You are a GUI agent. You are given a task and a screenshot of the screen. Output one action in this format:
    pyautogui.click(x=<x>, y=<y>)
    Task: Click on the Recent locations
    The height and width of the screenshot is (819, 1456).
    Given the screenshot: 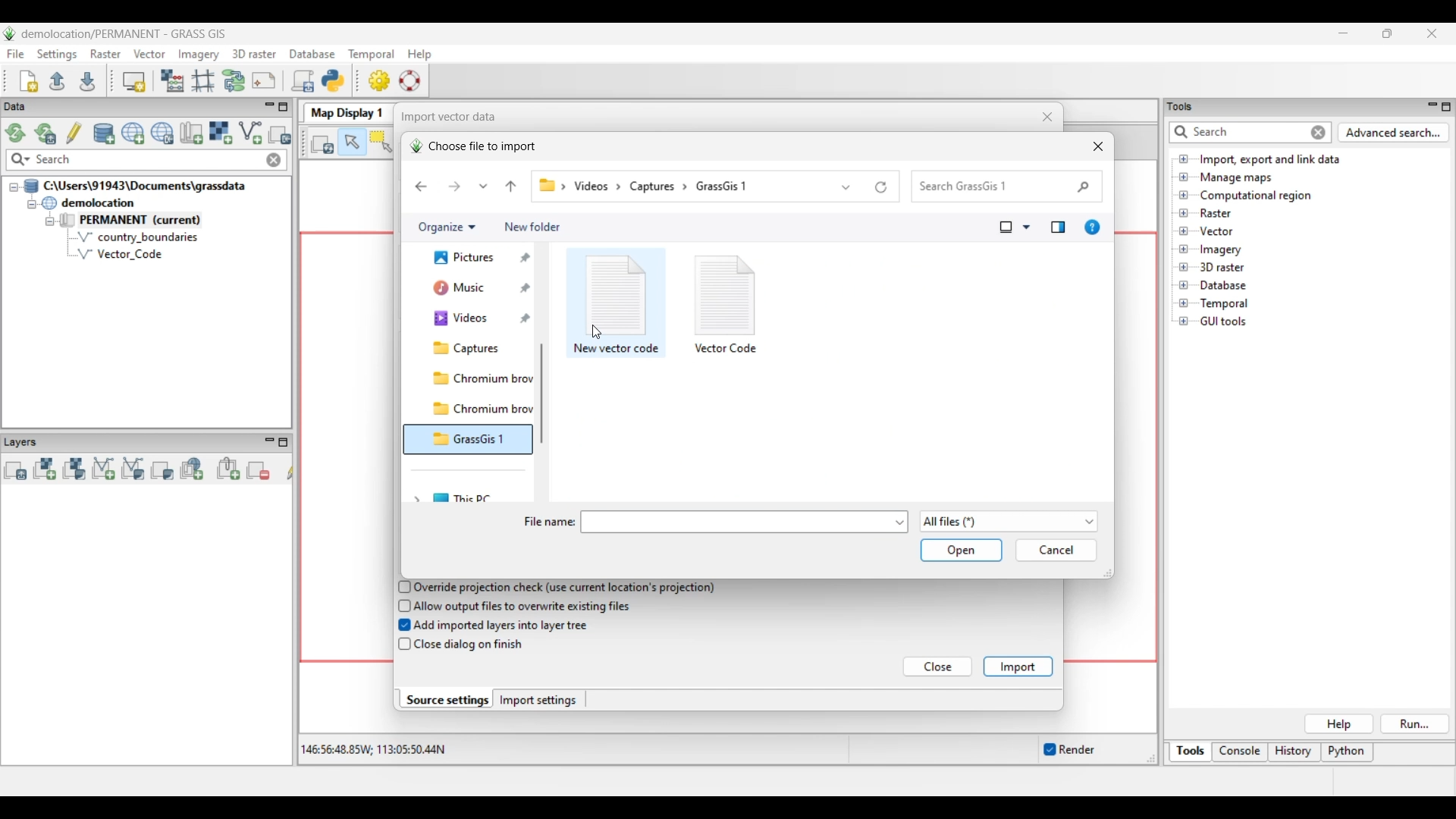 What is the action you would take?
    pyautogui.click(x=484, y=186)
    